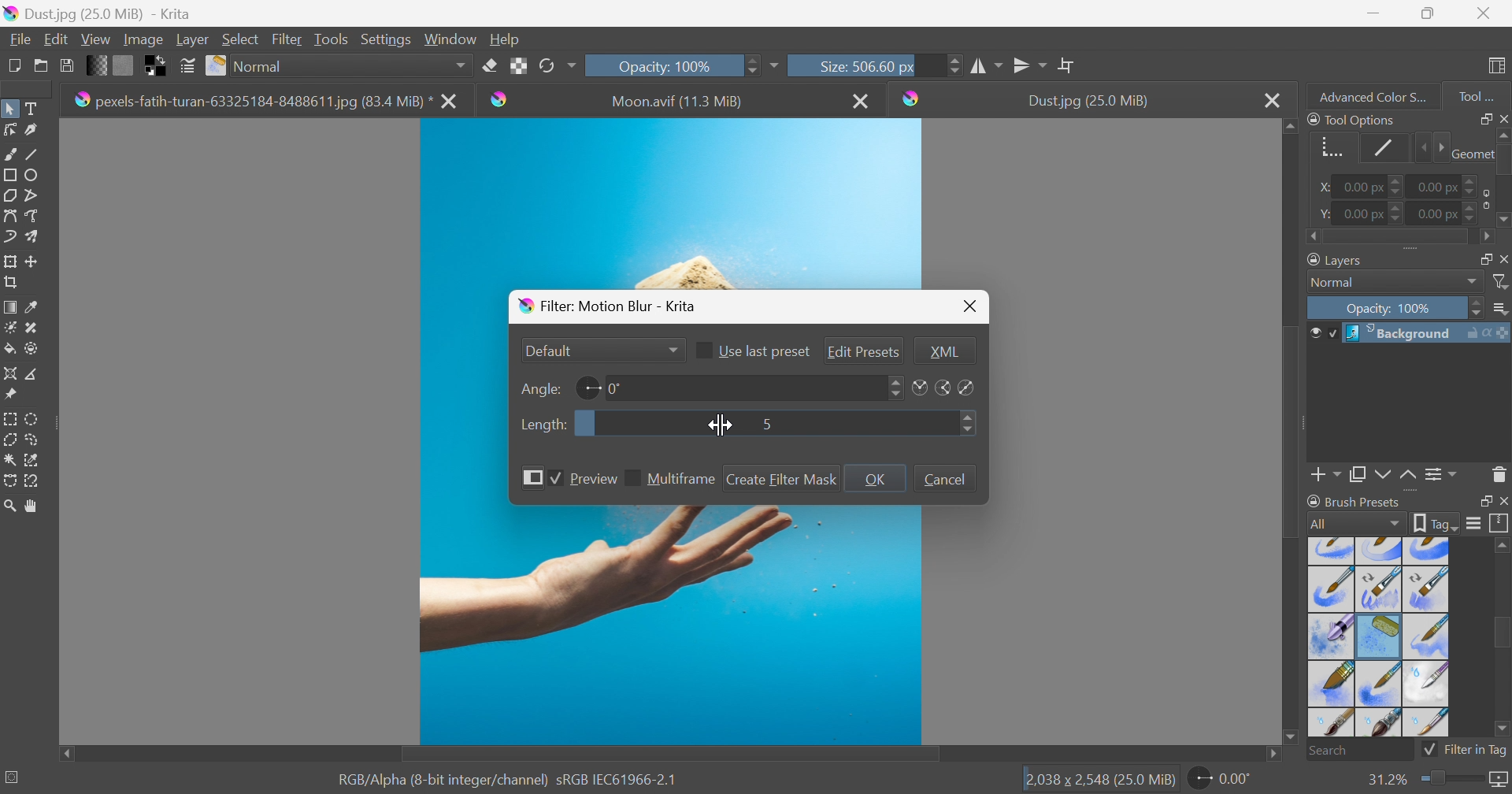 This screenshot has width=1512, height=794. Describe the element at coordinates (35, 109) in the screenshot. I see `Text tool` at that location.